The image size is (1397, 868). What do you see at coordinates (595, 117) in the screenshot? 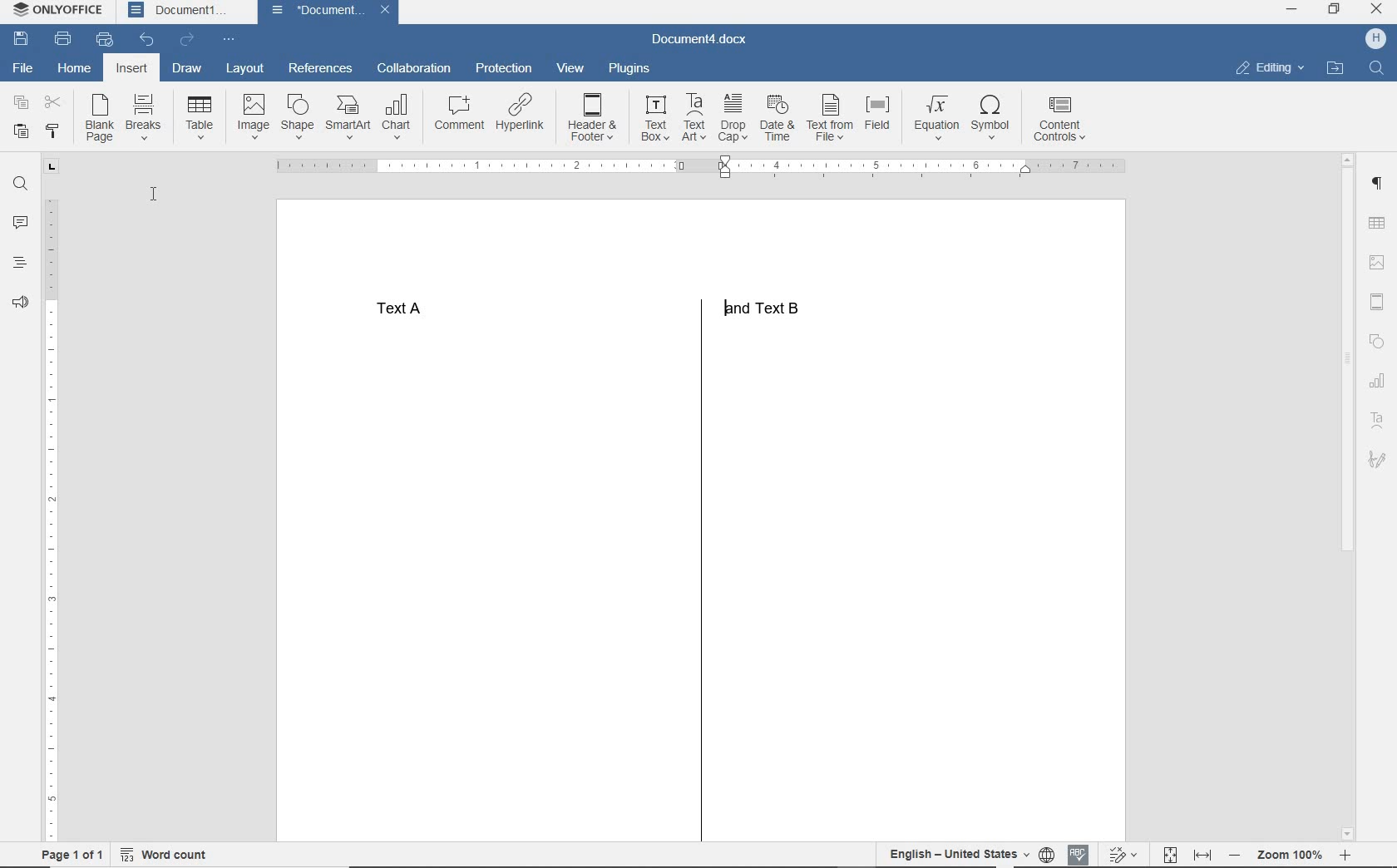
I see `HEADER & FOOTER` at bounding box center [595, 117].